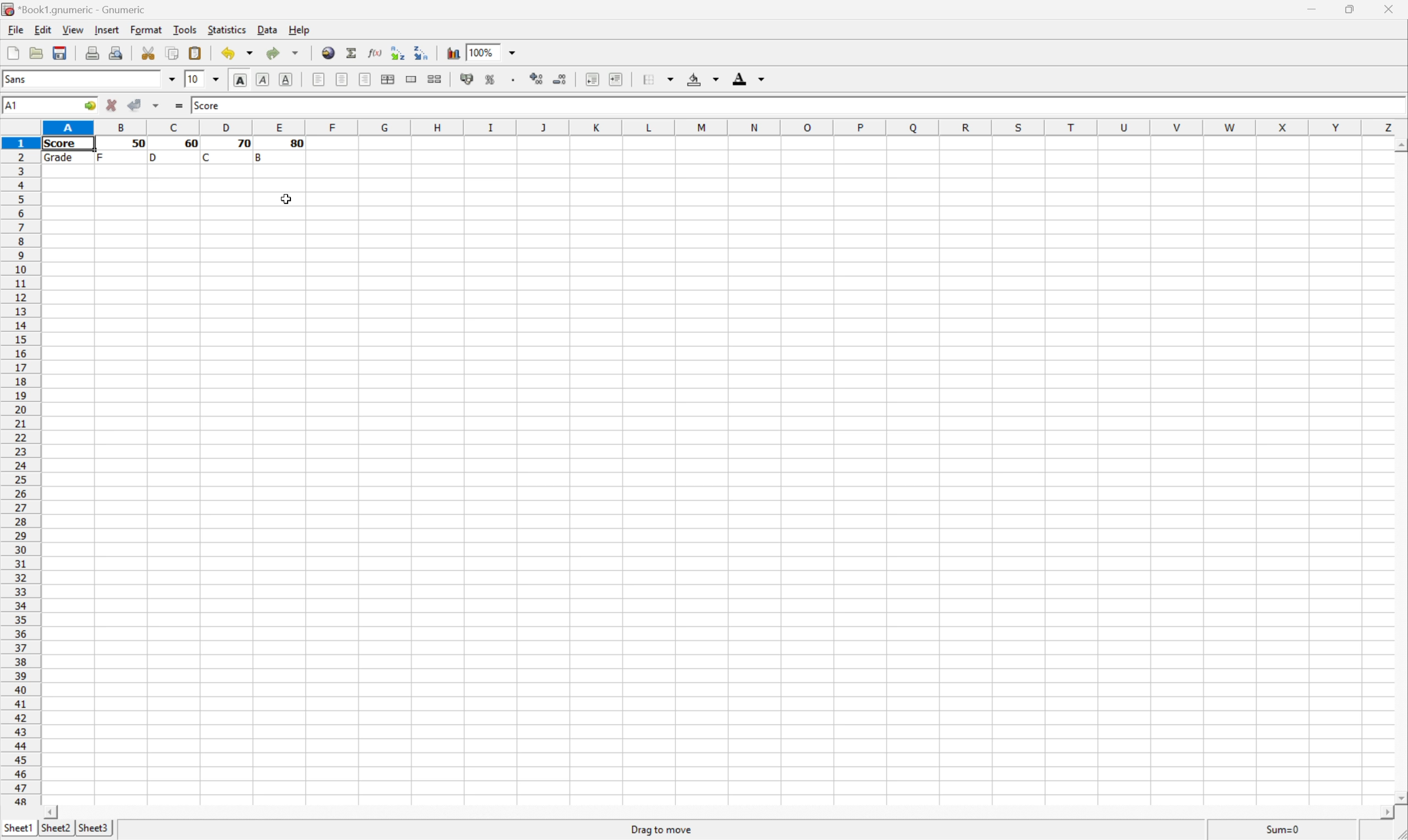  Describe the element at coordinates (42, 30) in the screenshot. I see `edit` at that location.